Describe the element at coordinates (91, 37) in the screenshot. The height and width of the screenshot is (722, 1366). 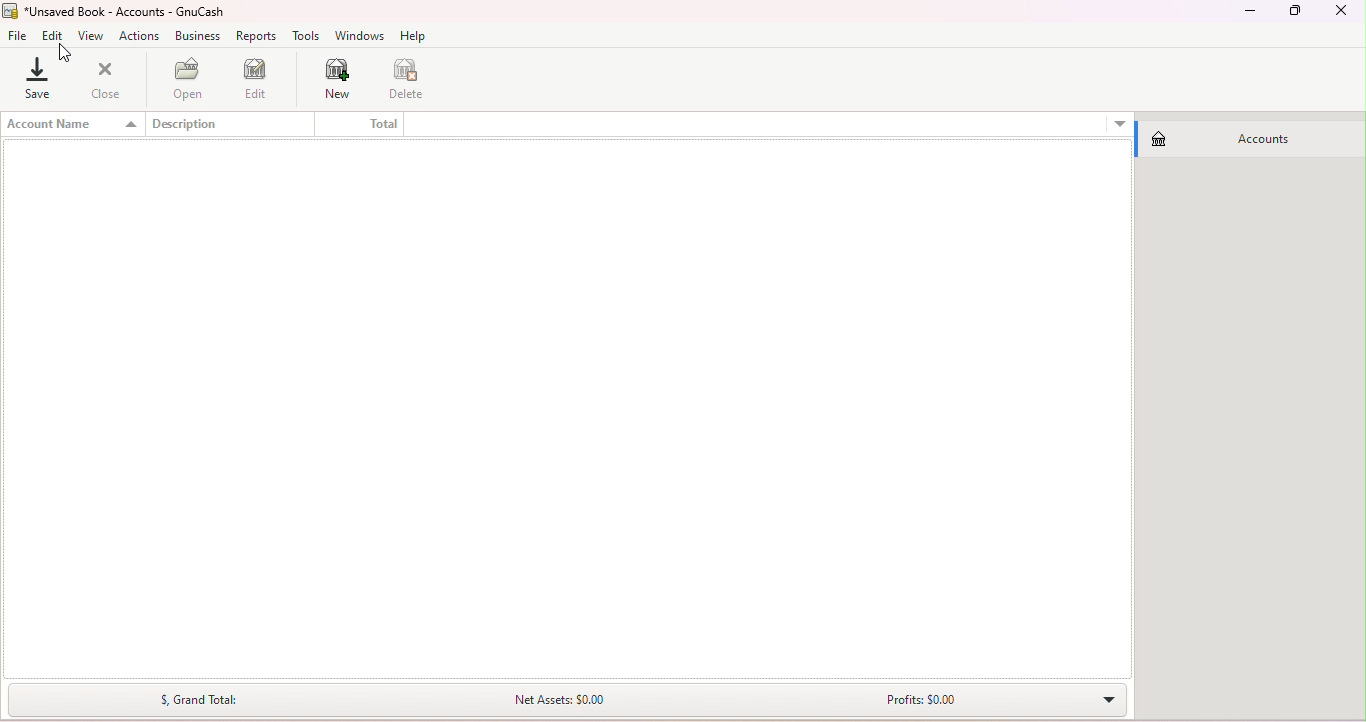
I see `View` at that location.